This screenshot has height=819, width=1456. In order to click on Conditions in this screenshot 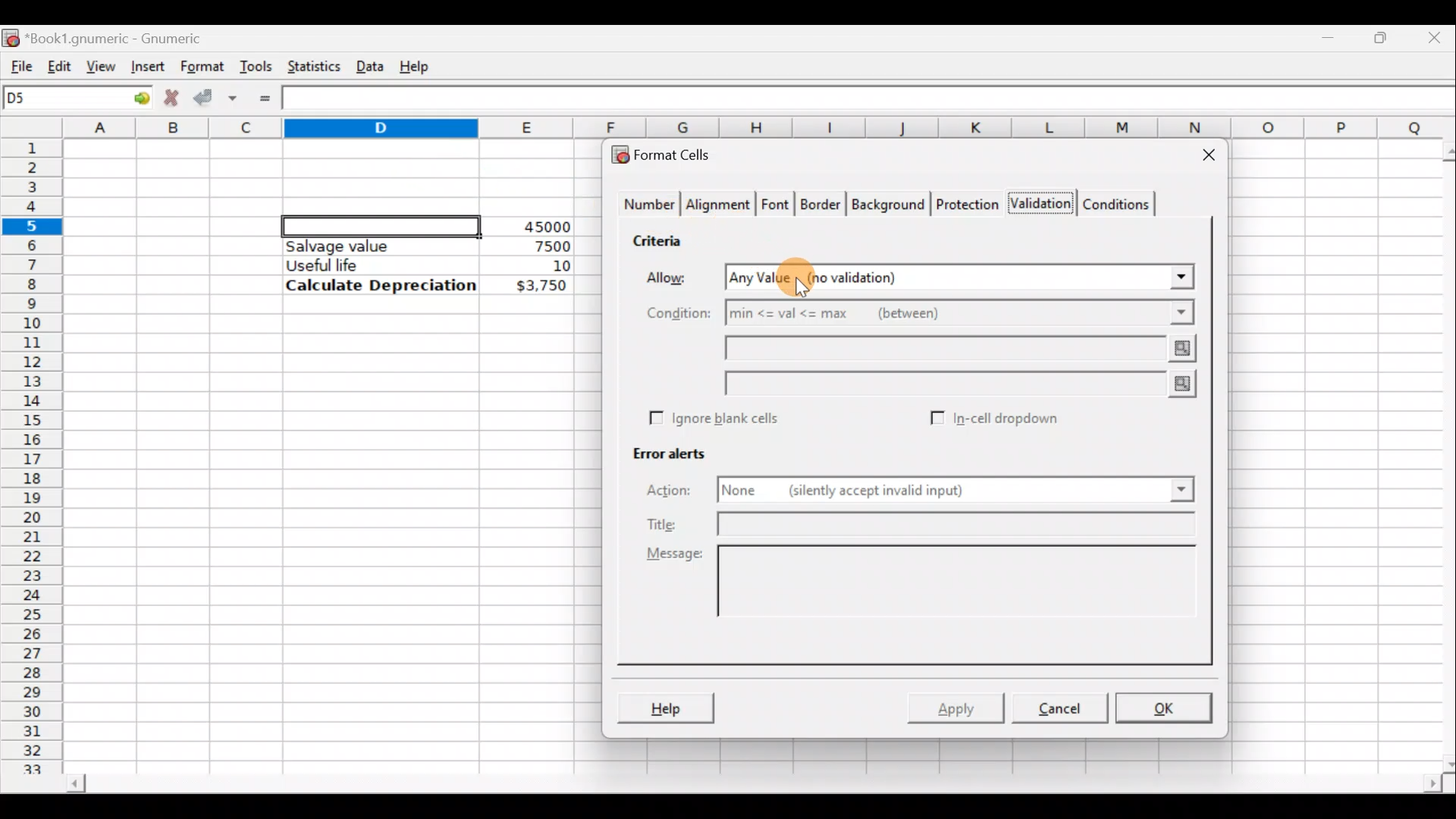, I will do `click(1116, 203)`.